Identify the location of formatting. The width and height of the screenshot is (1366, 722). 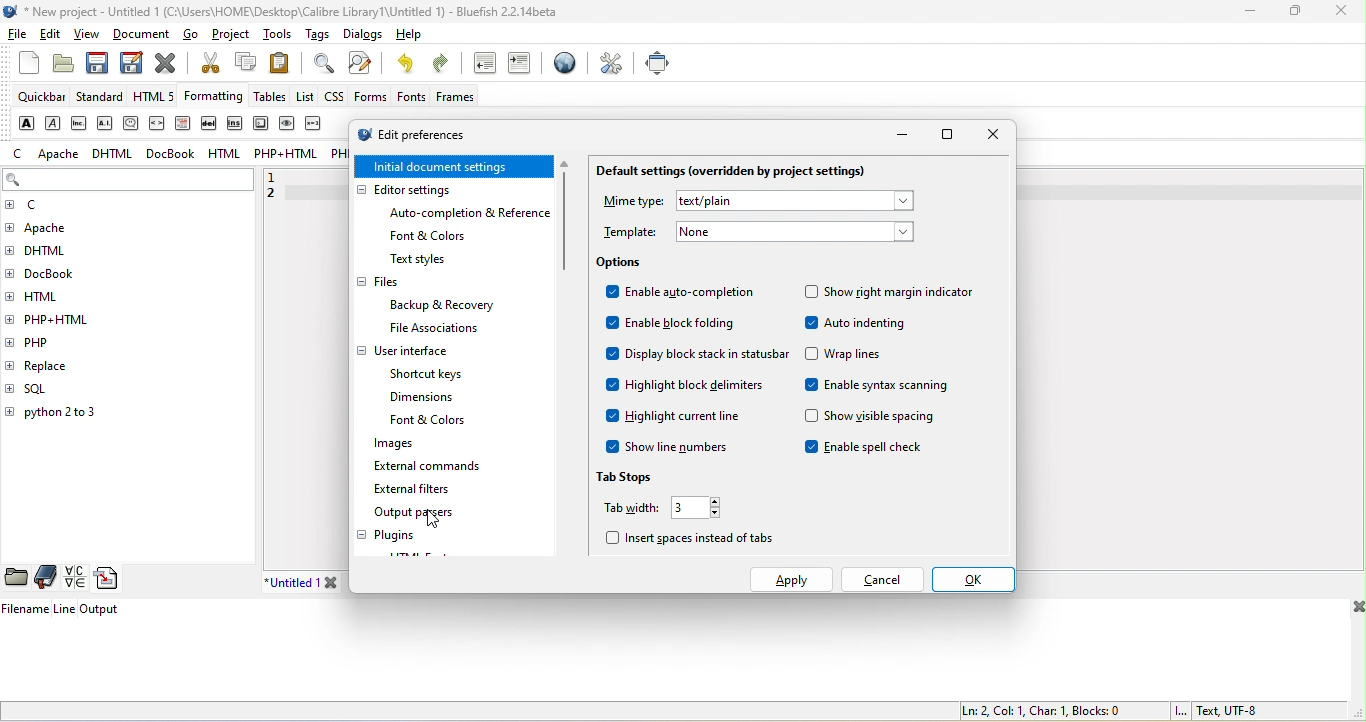
(217, 97).